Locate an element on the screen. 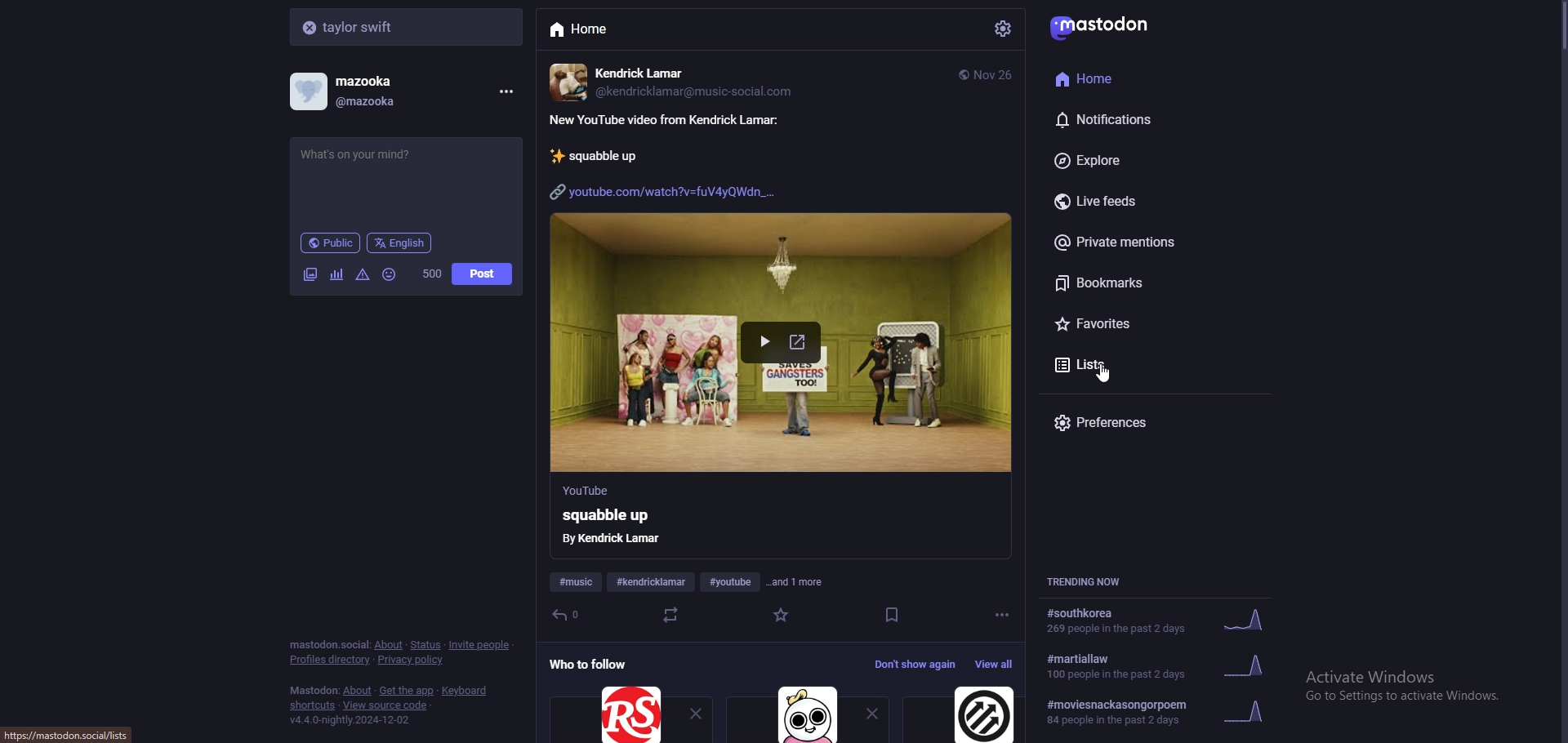 Image resolution: width=1568 pixels, height=743 pixels. settings is located at coordinates (1002, 29).